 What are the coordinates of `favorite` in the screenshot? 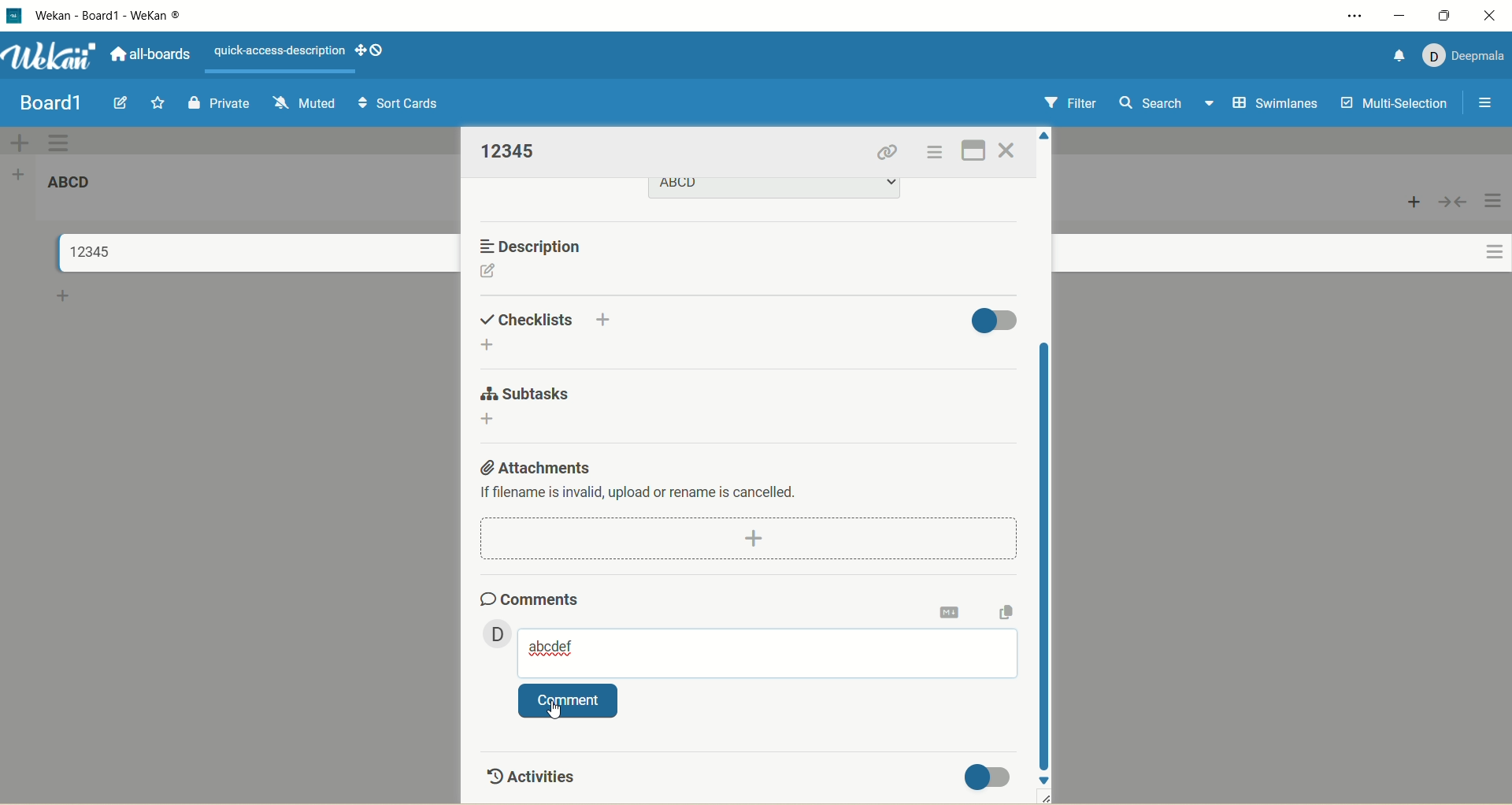 It's located at (154, 106).